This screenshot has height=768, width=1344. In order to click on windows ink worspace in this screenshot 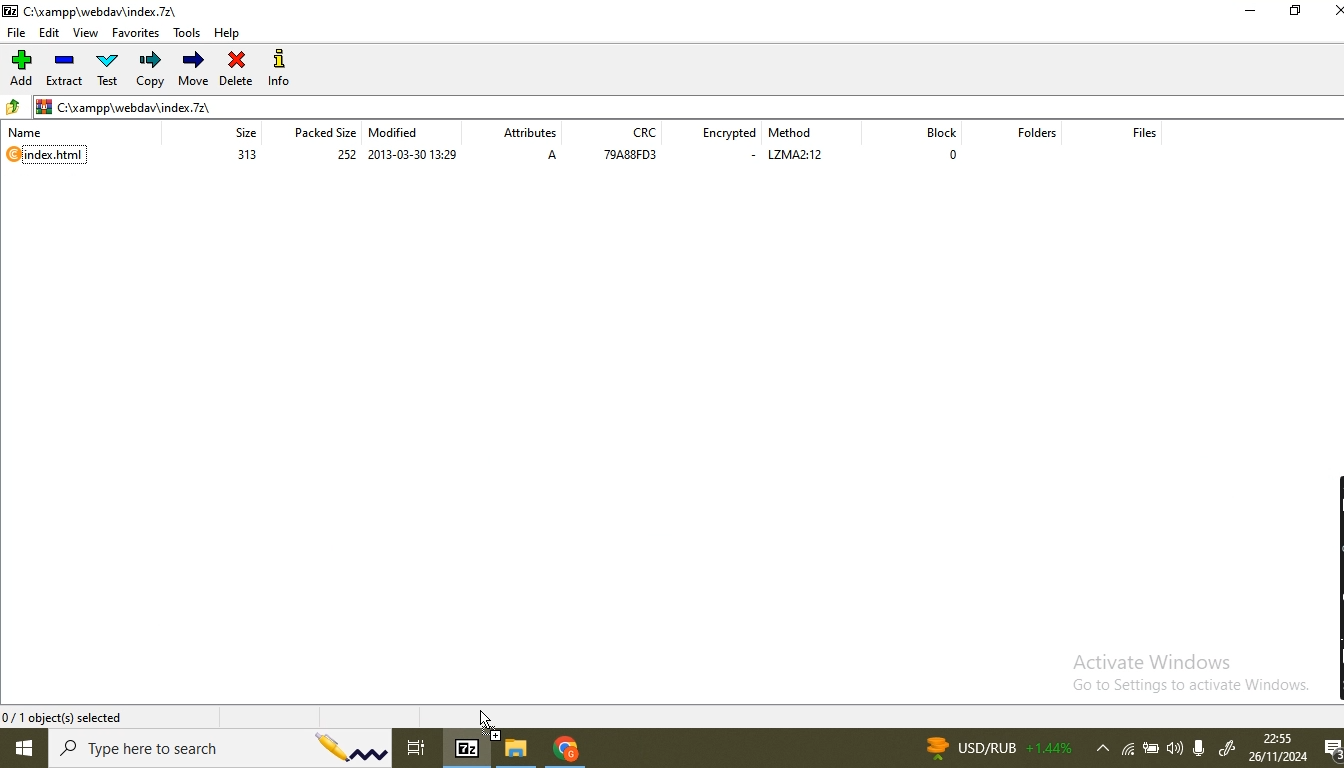, I will do `click(1228, 750)`.